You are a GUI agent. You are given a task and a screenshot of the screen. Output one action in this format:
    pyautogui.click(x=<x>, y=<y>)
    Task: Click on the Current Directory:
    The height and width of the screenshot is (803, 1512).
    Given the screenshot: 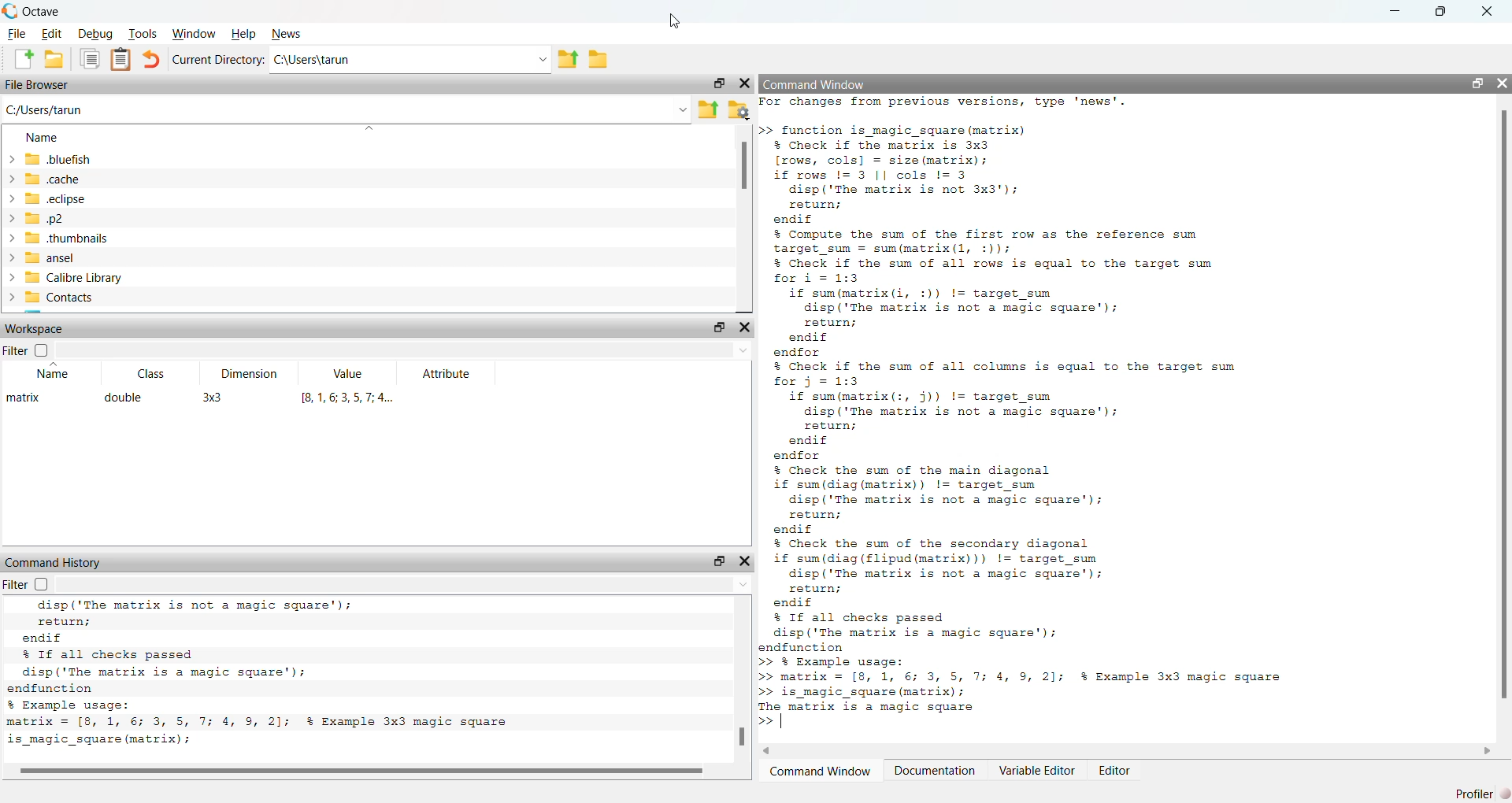 What is the action you would take?
    pyautogui.click(x=218, y=60)
    